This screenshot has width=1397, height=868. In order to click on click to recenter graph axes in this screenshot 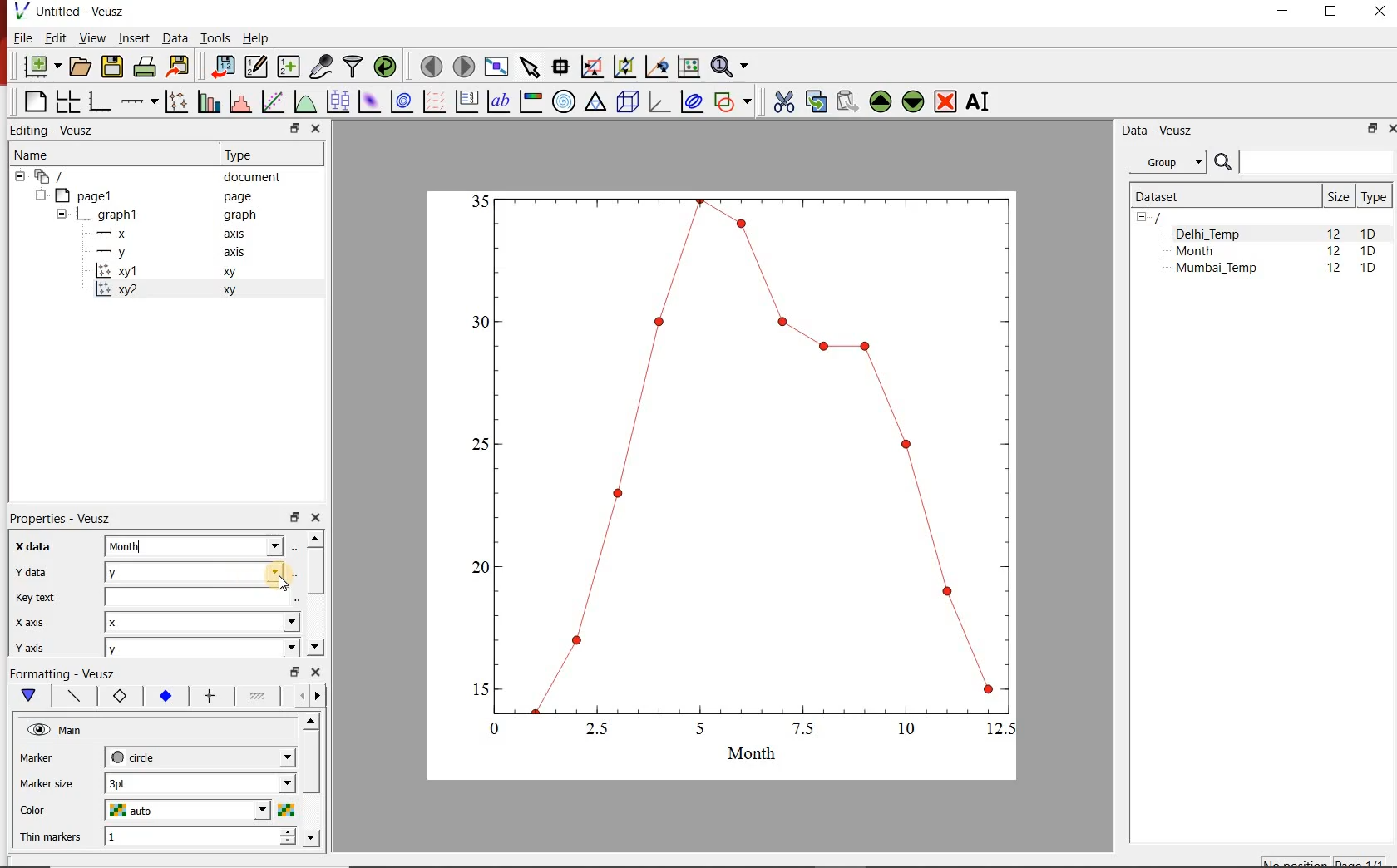, I will do `click(656, 67)`.